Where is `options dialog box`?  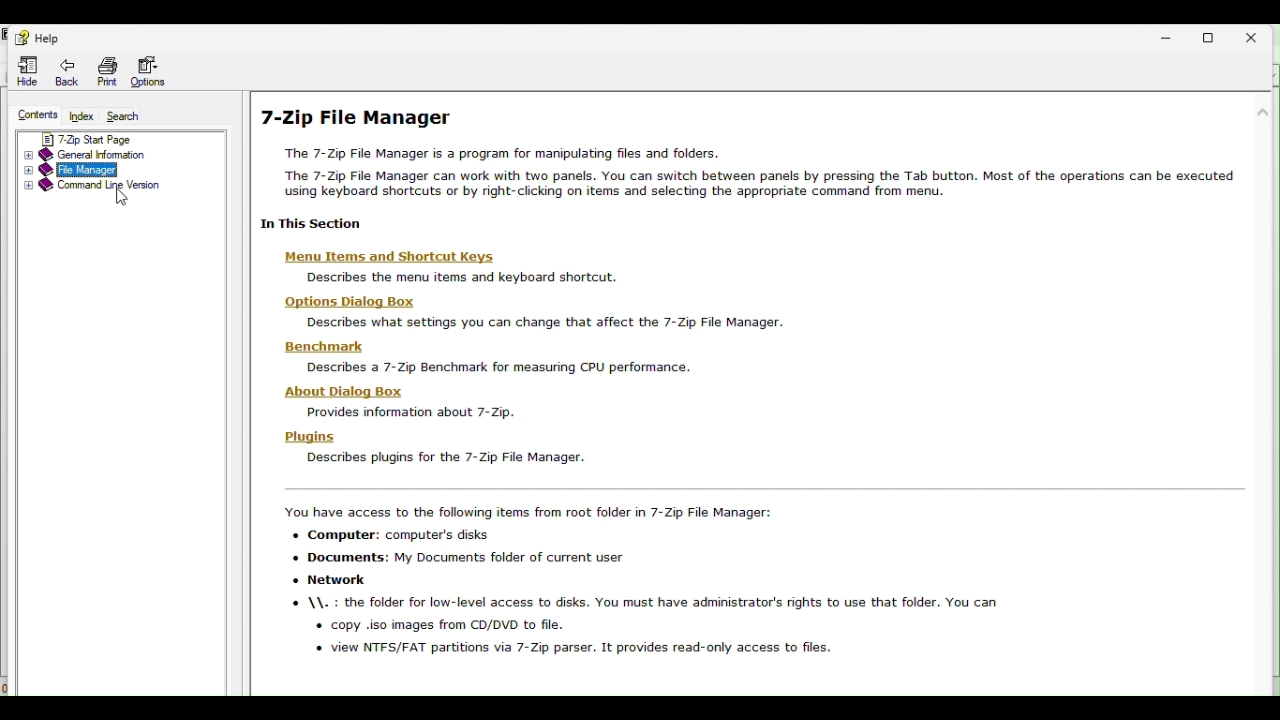 options dialog box is located at coordinates (351, 301).